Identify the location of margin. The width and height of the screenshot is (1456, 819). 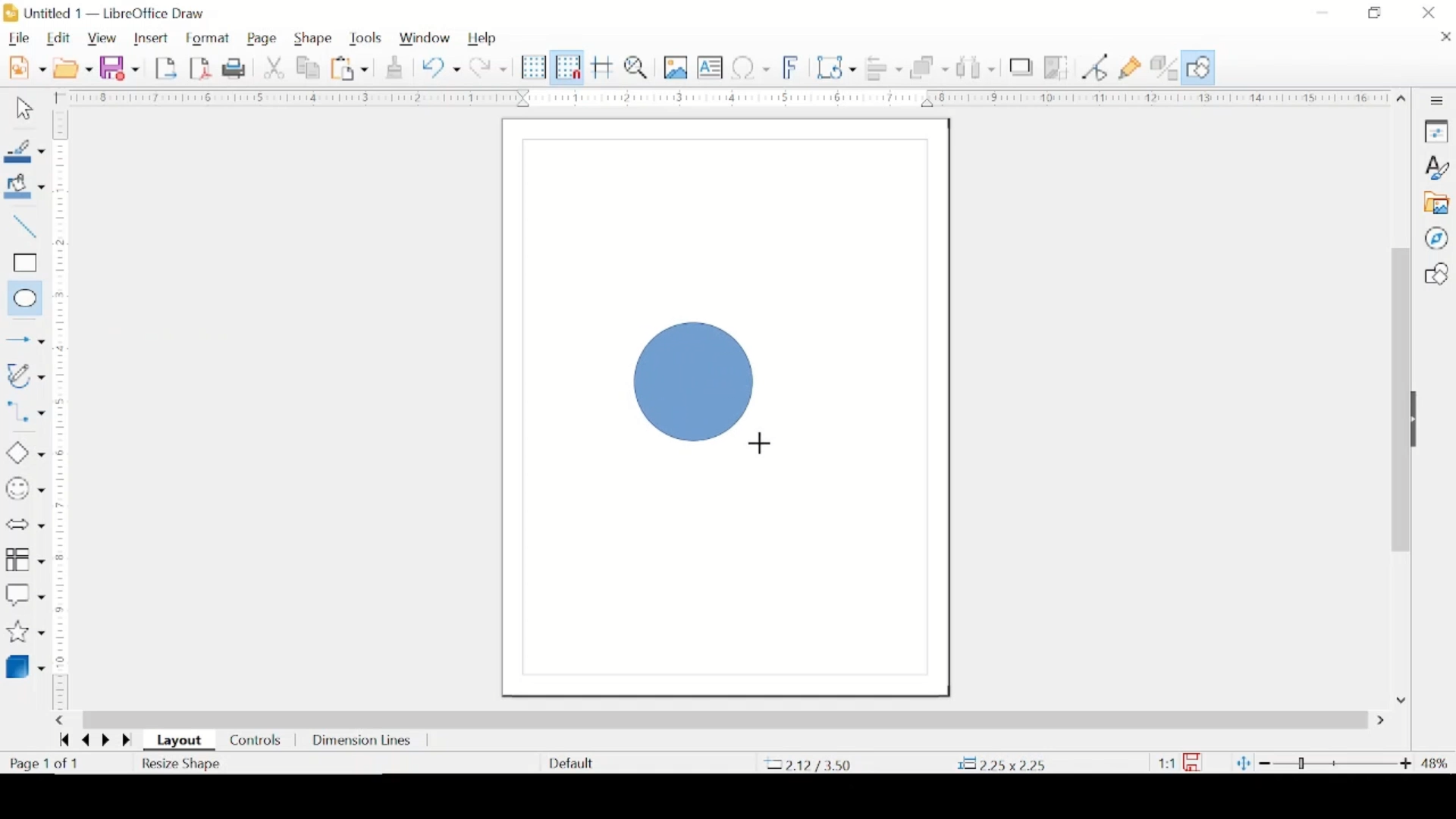
(64, 529).